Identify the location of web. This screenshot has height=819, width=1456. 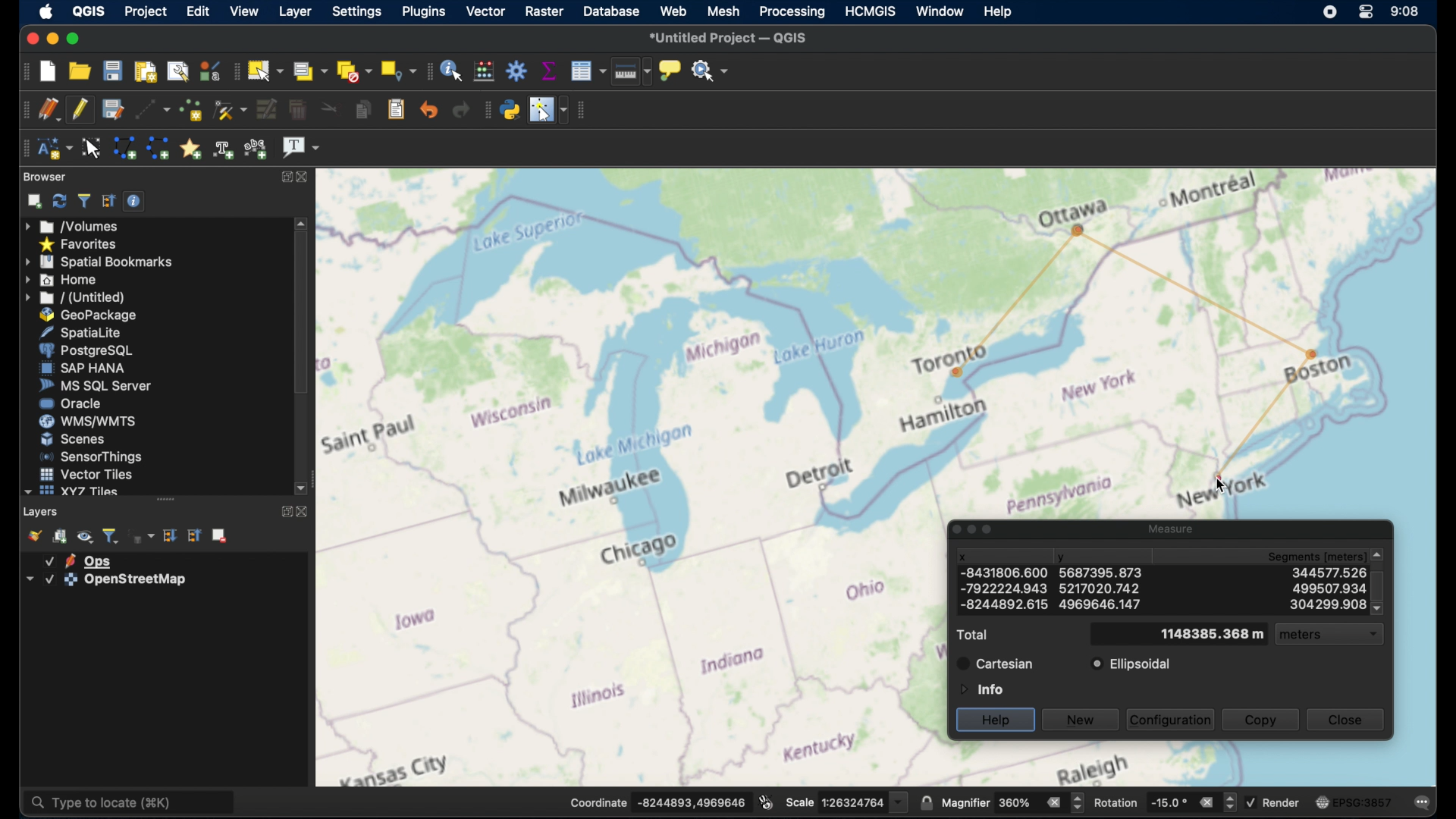
(673, 12).